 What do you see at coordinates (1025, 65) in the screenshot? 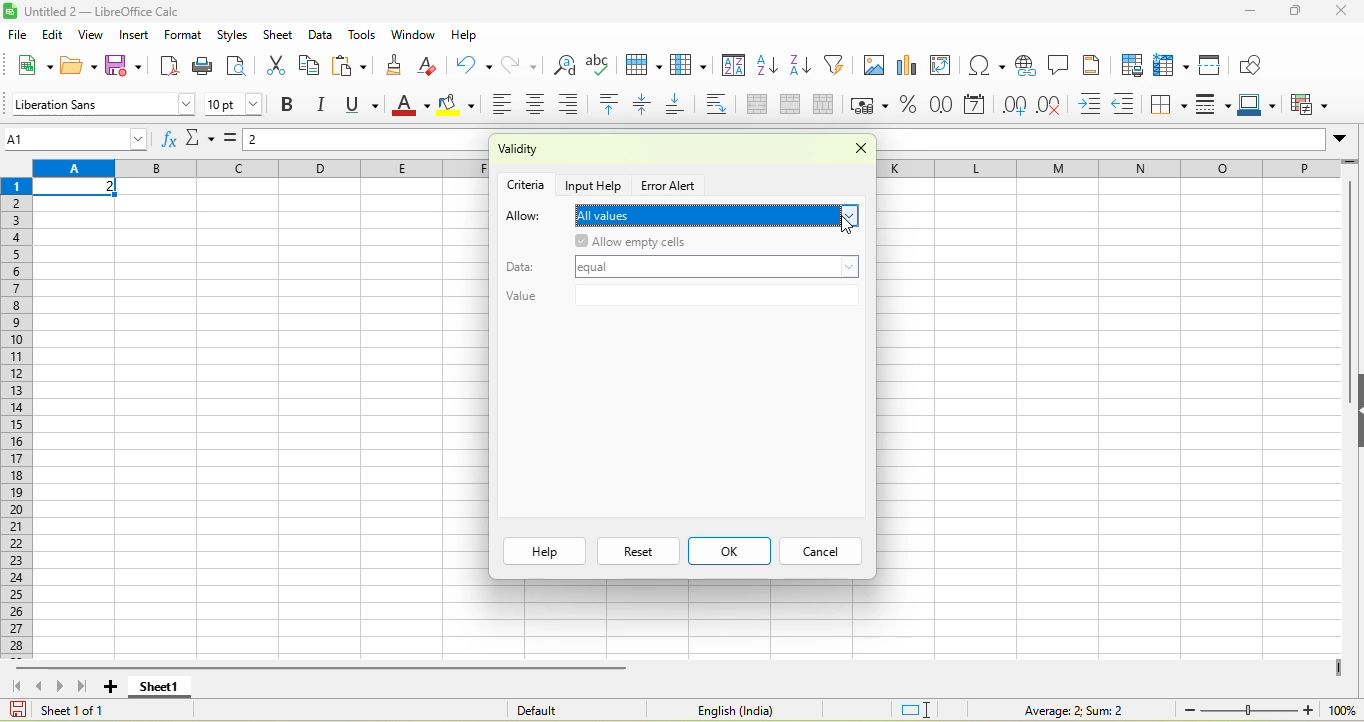
I see `hyperlink` at bounding box center [1025, 65].